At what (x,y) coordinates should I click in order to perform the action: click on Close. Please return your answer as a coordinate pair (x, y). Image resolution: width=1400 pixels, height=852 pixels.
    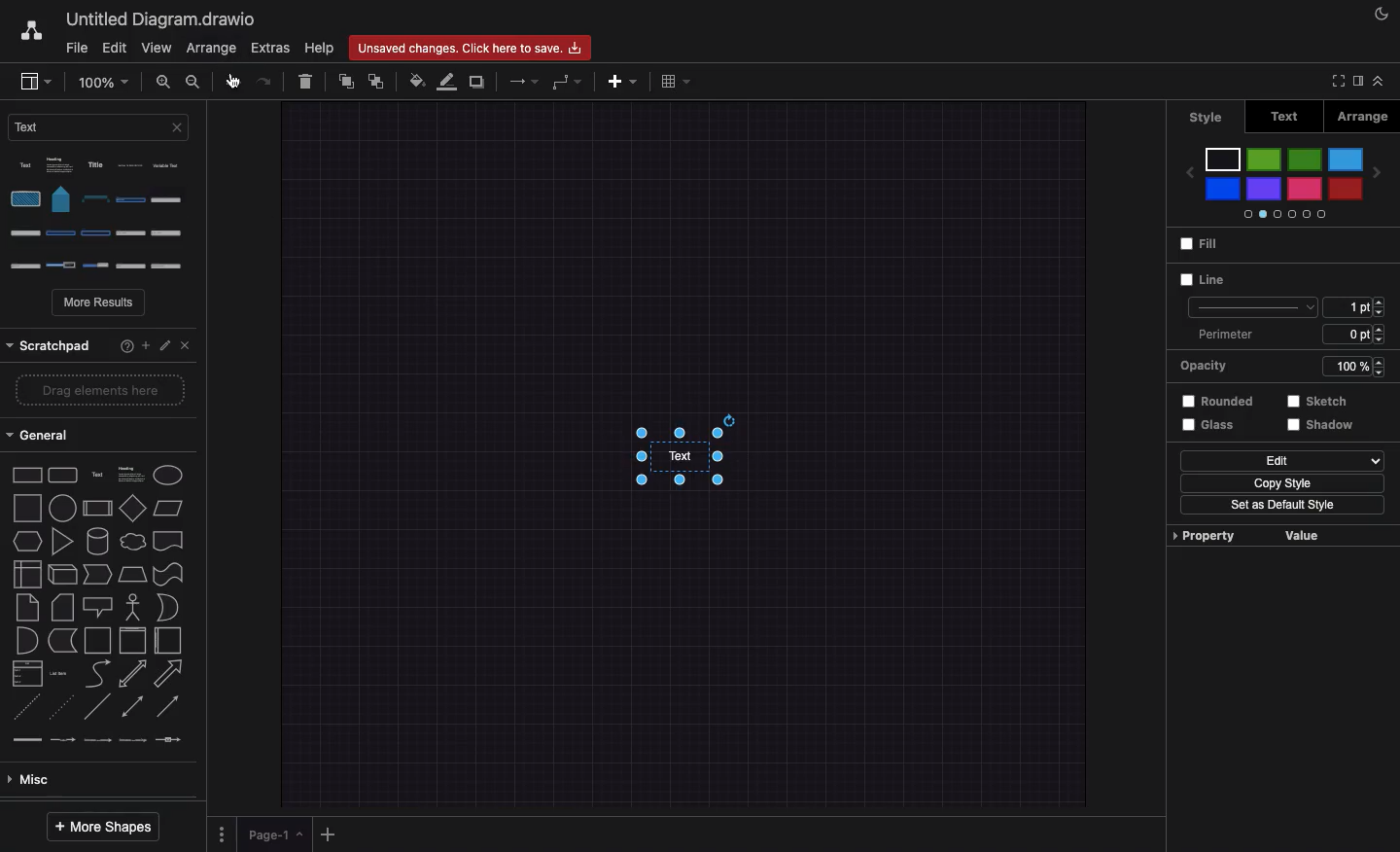
    Looking at the image, I should click on (183, 343).